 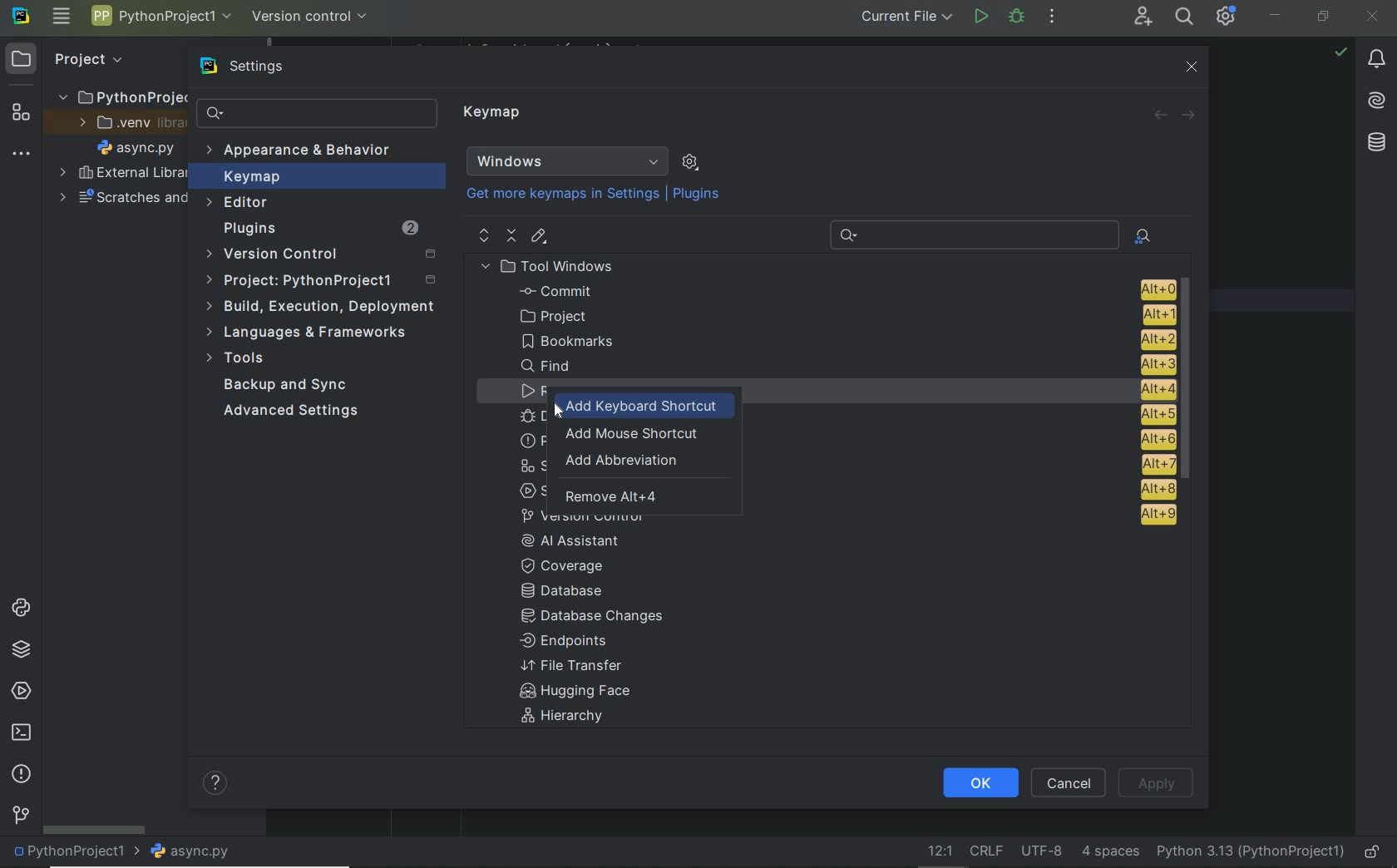 What do you see at coordinates (985, 851) in the screenshot?
I see `Line separator` at bounding box center [985, 851].